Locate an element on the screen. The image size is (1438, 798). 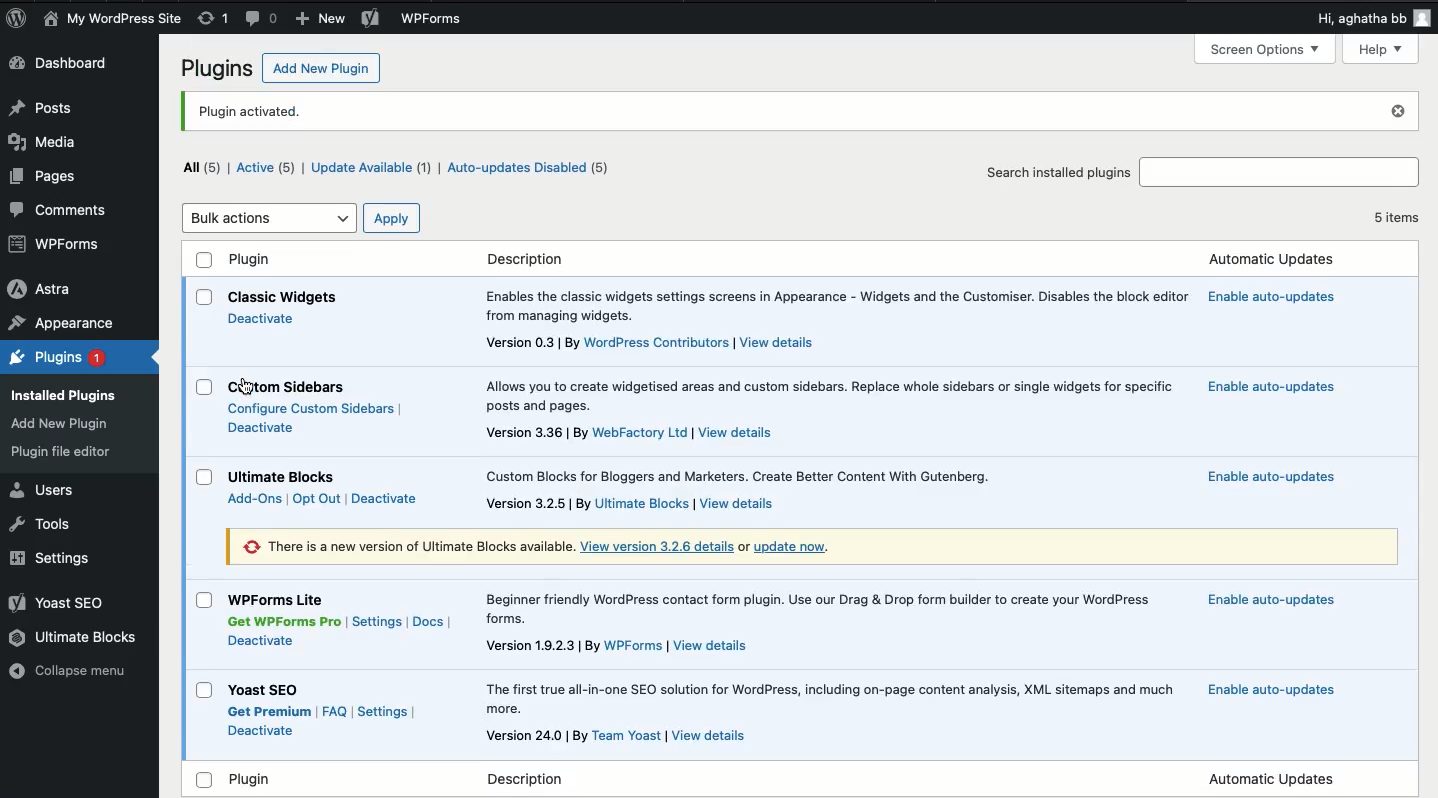
Custom sidebars is located at coordinates (295, 388).